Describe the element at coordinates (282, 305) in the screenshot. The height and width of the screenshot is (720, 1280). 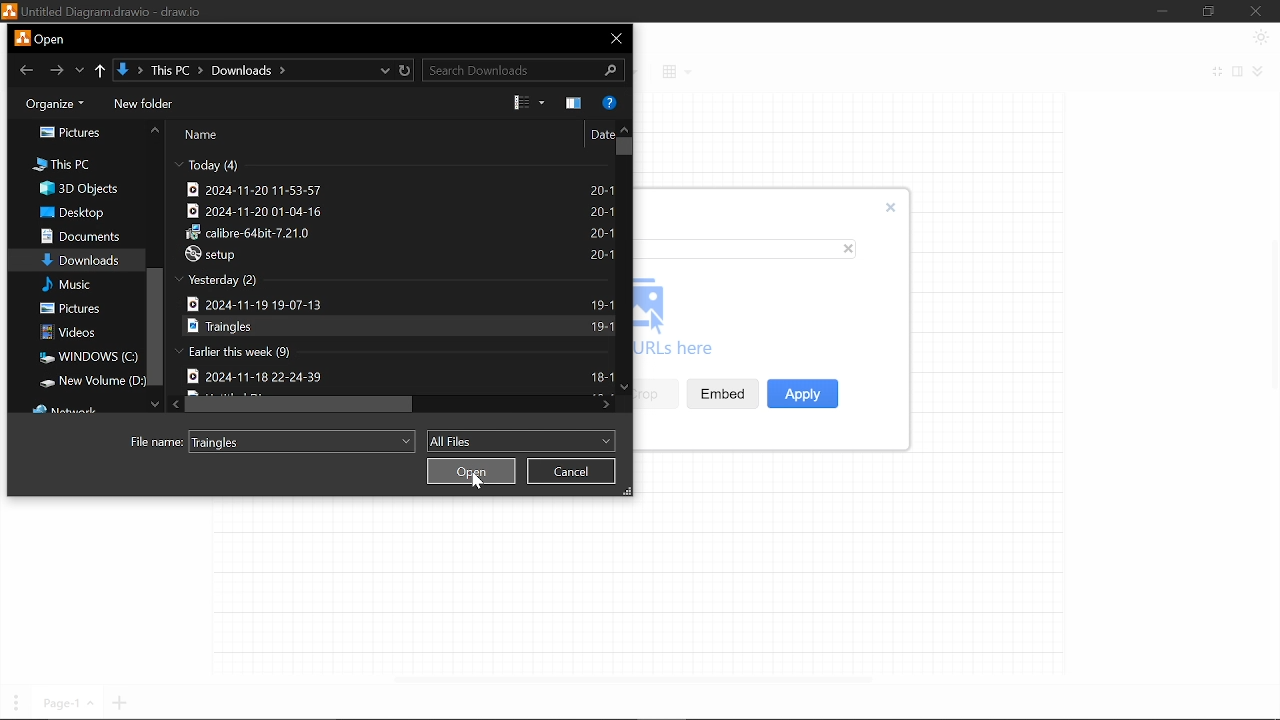
I see `2024-11-19 19-07-13` at that location.